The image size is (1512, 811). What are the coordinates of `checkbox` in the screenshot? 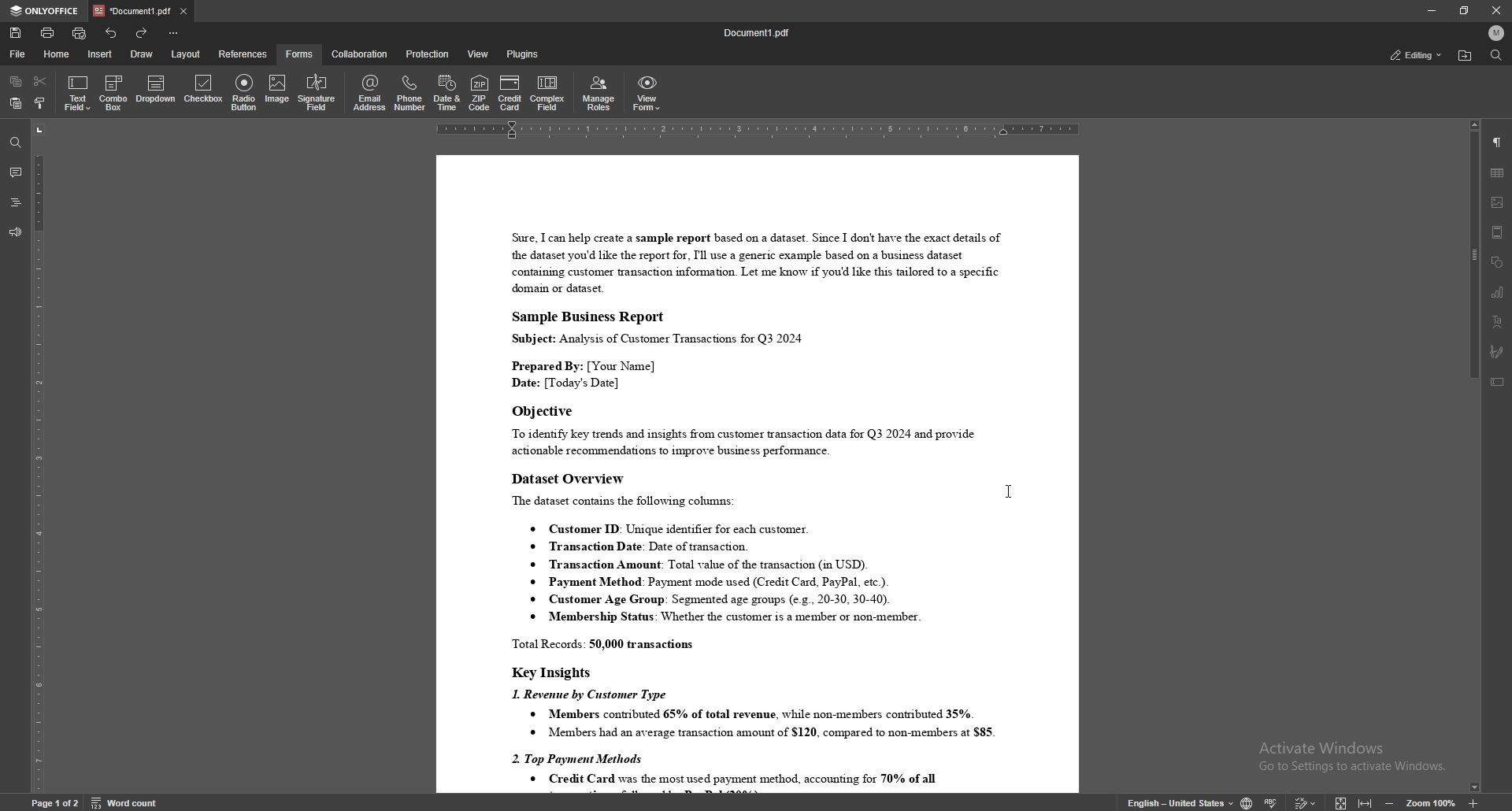 It's located at (205, 91).